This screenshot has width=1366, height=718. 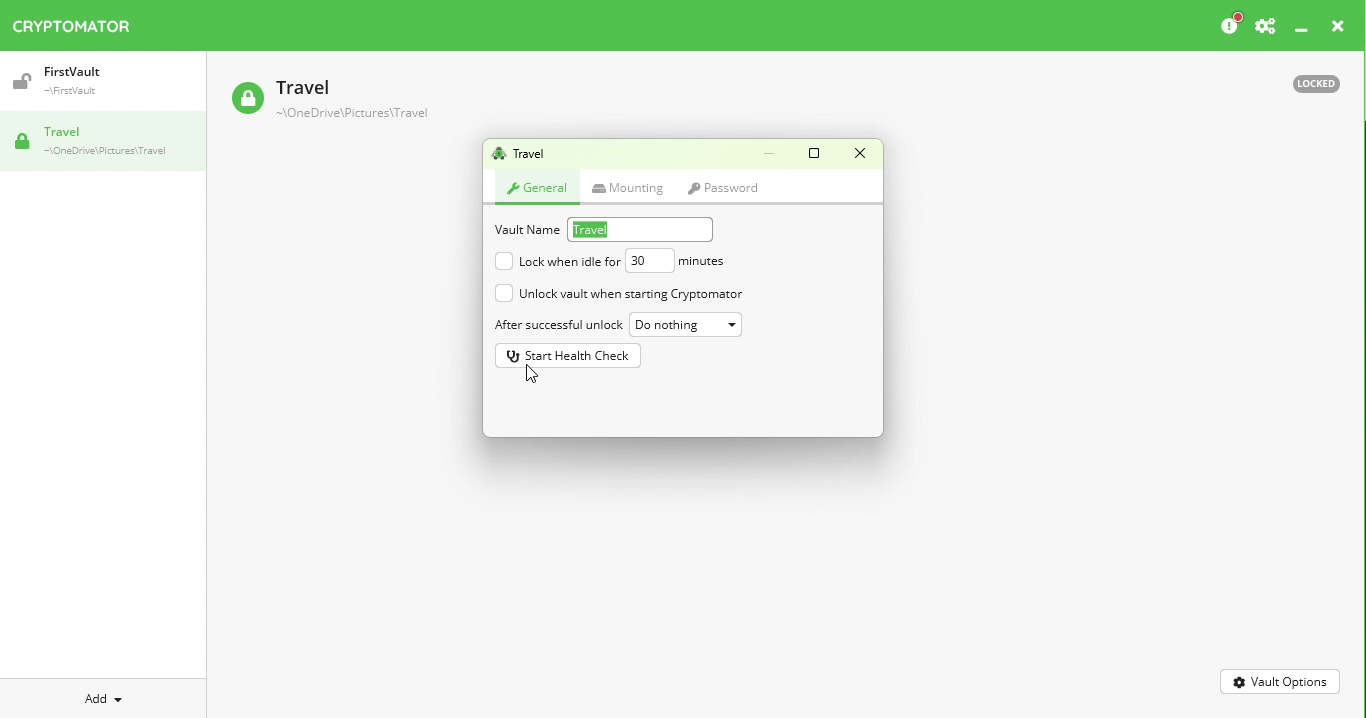 What do you see at coordinates (1345, 28) in the screenshot?
I see `close` at bounding box center [1345, 28].